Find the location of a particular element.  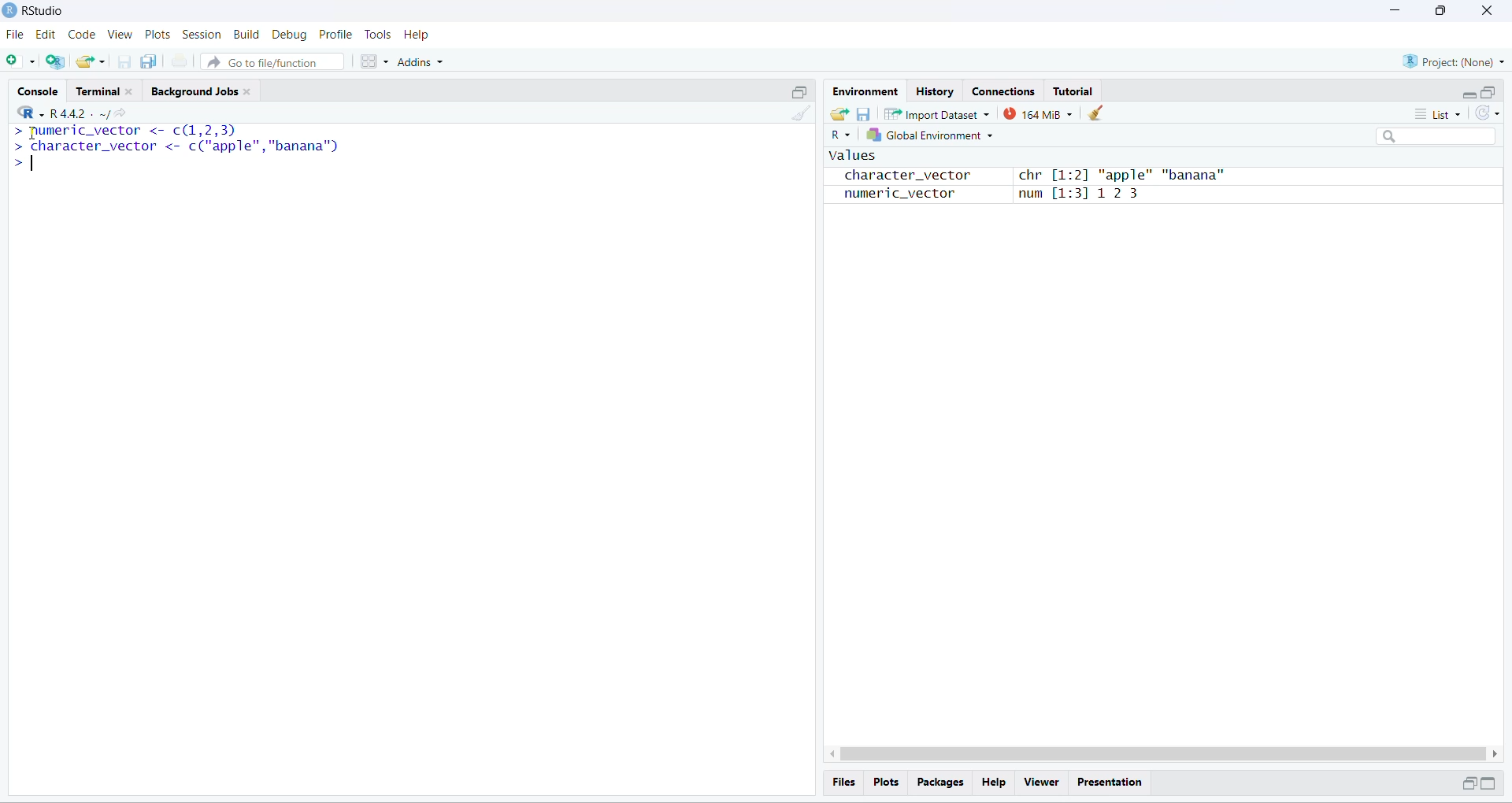

maximize is located at coordinates (1488, 92).